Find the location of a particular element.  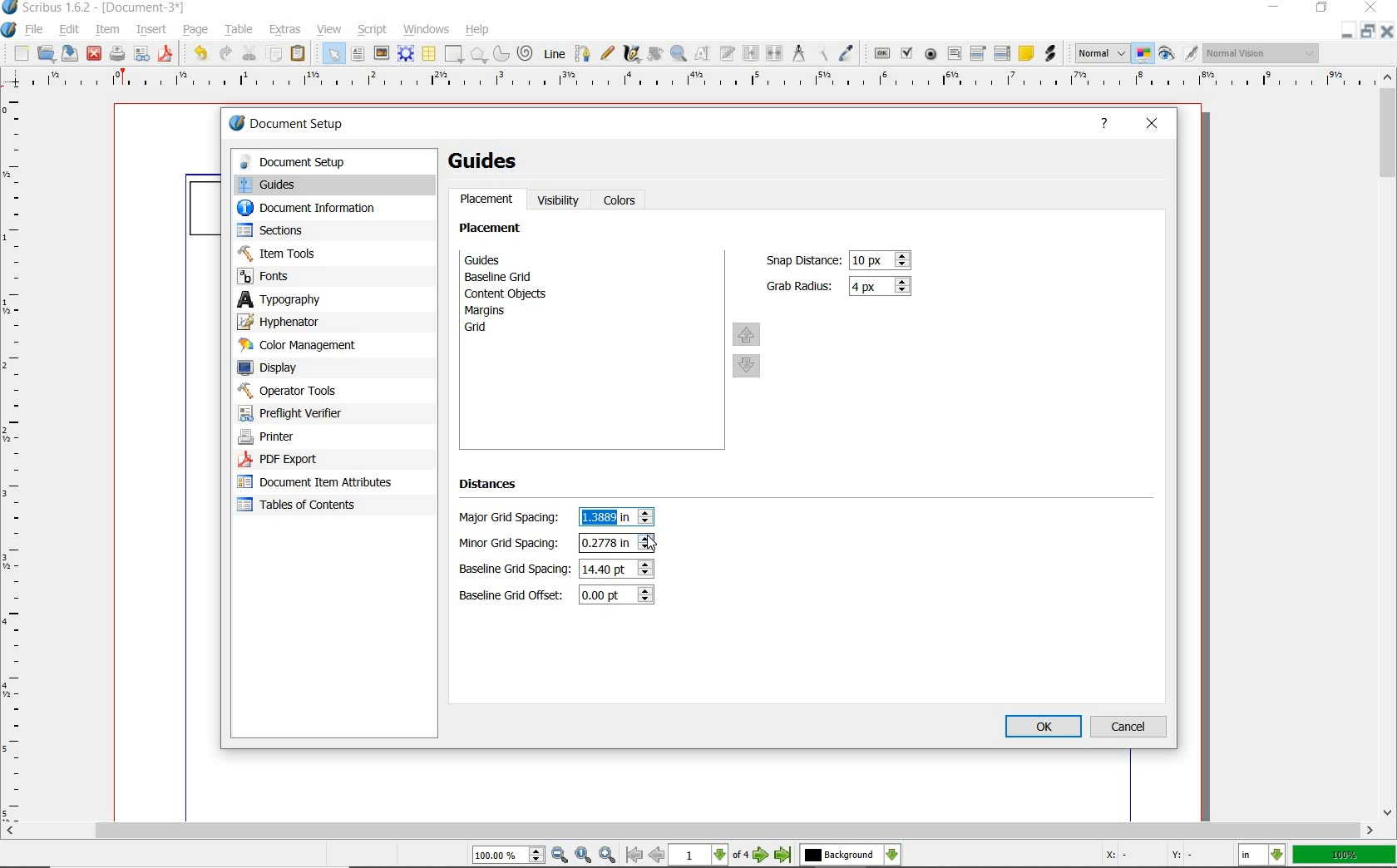

pdf-export is located at coordinates (315, 460).